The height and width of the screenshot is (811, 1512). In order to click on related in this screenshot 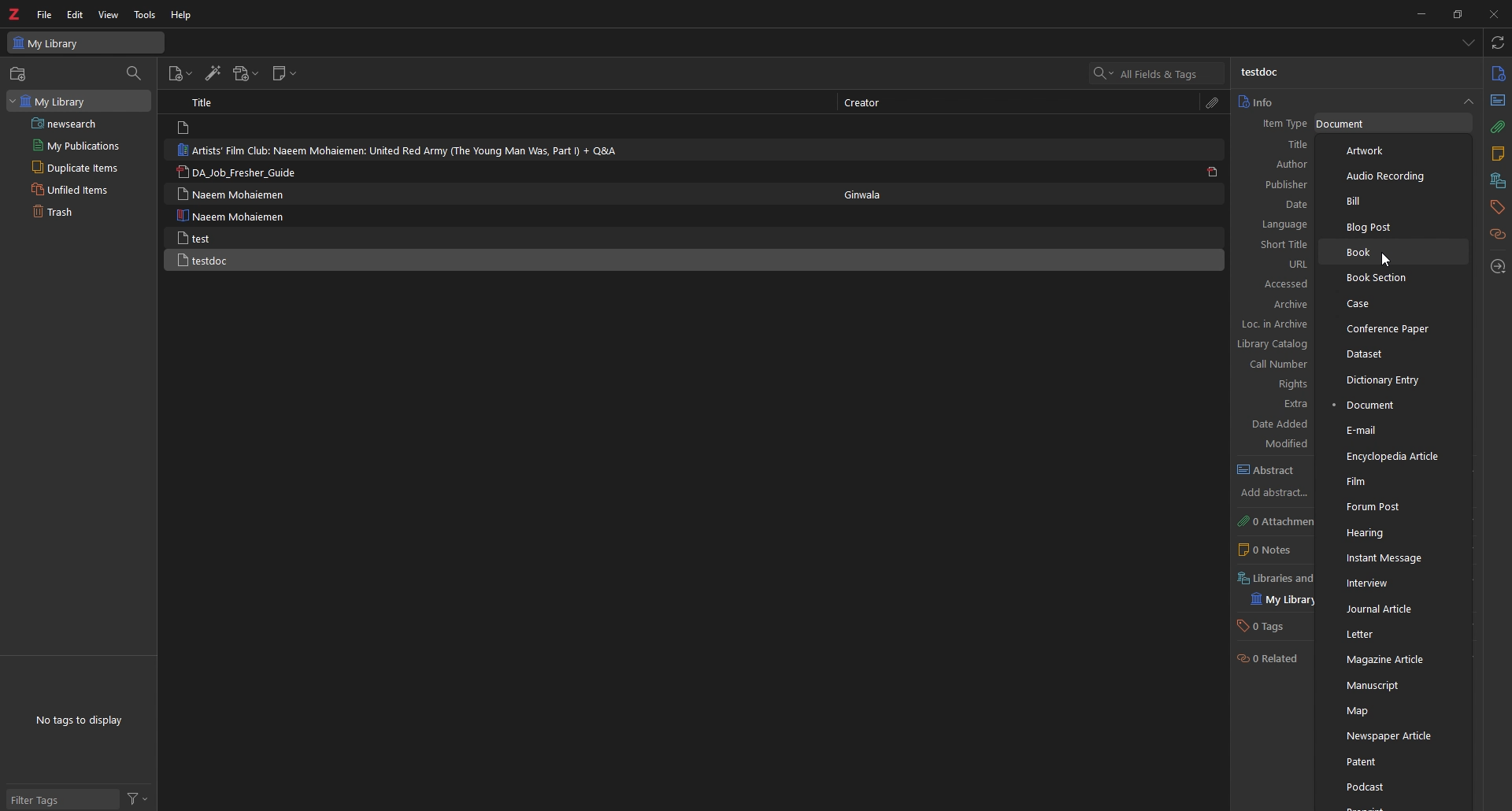, I will do `click(1499, 235)`.